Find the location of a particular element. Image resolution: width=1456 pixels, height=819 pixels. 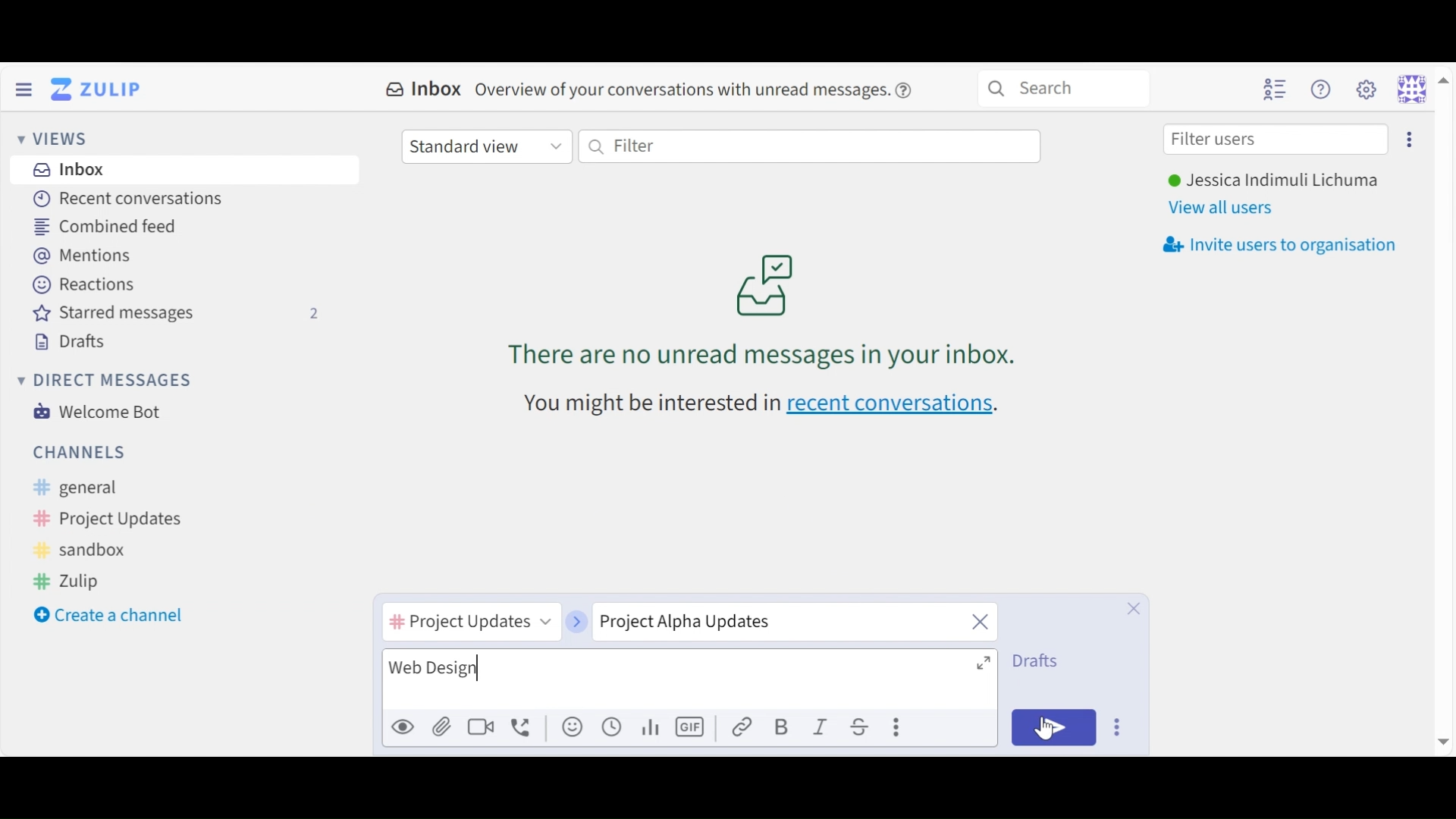

Drafts is located at coordinates (1040, 661).